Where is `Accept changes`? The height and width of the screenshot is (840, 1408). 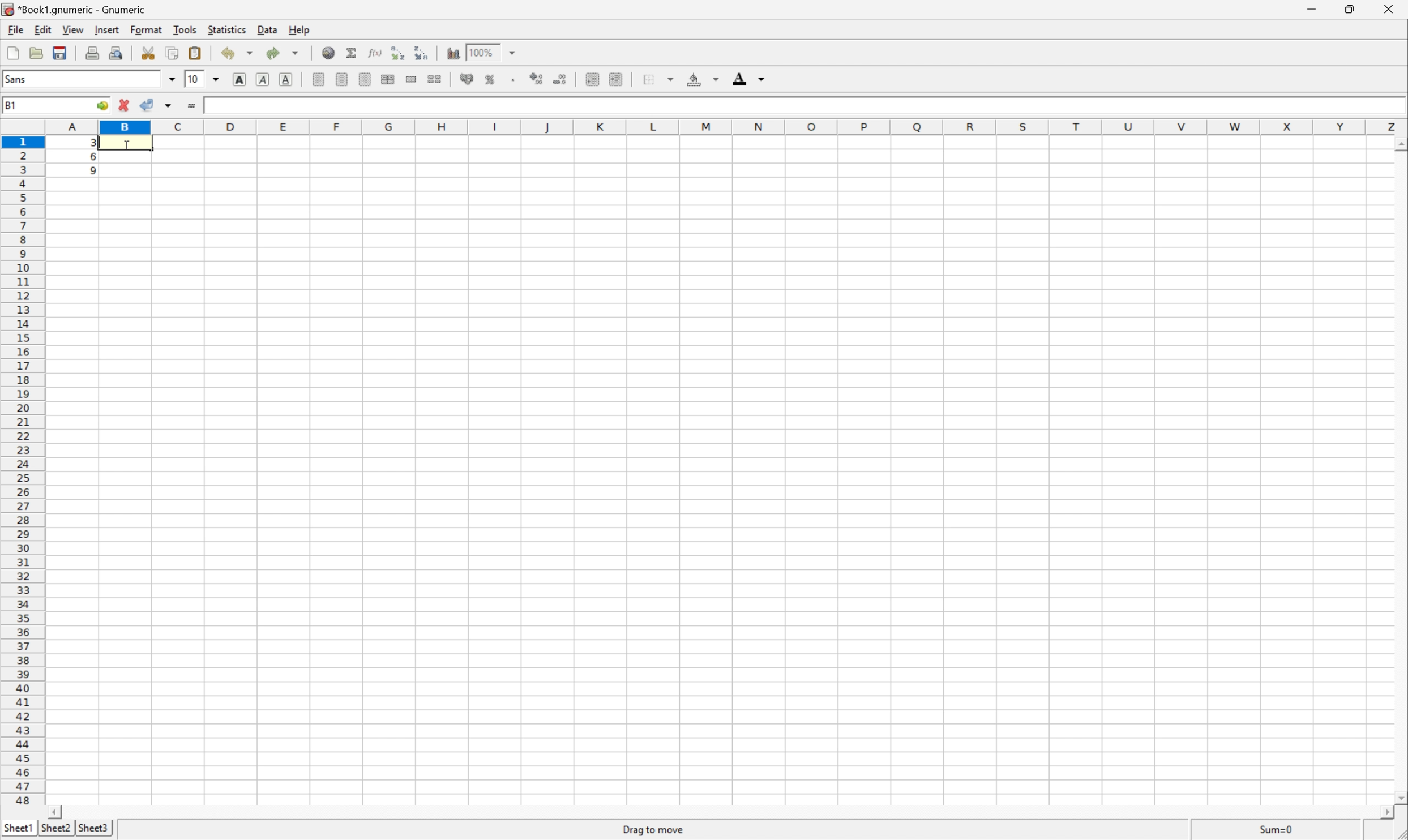 Accept changes is located at coordinates (148, 104).